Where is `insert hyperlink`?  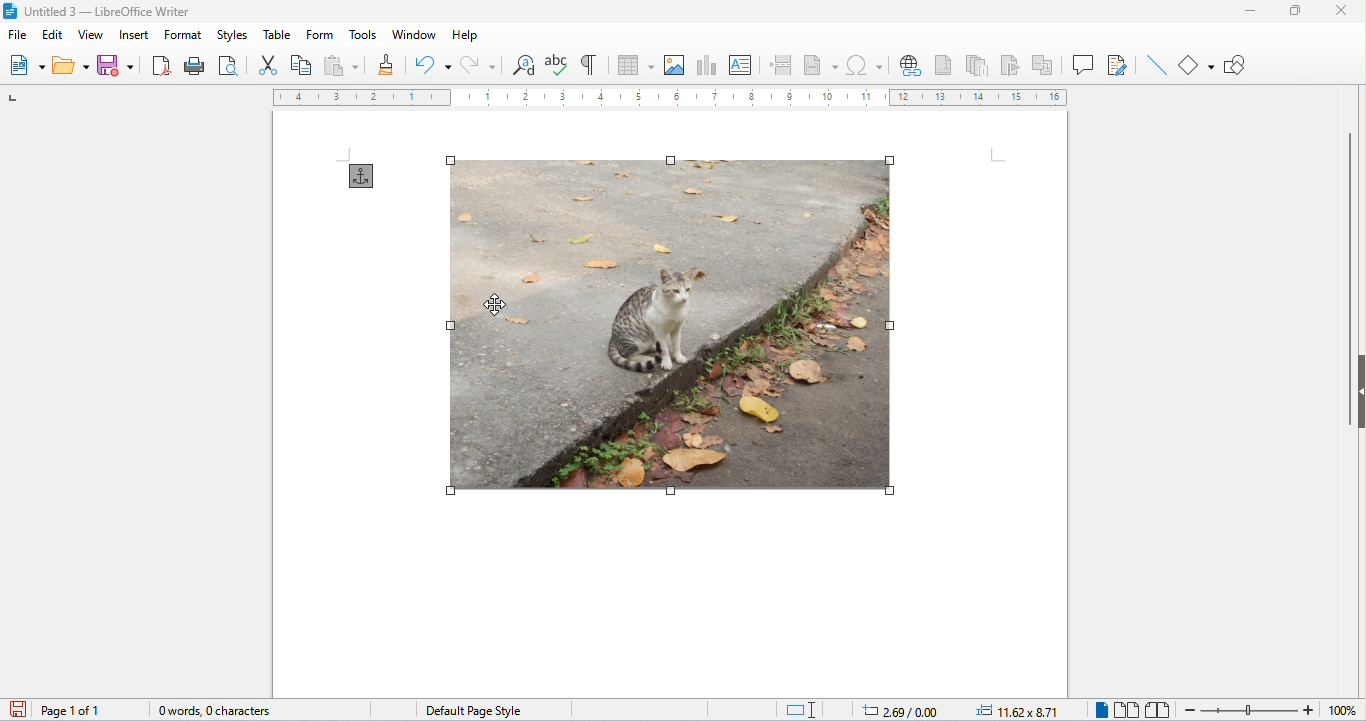
insert hyperlink is located at coordinates (912, 67).